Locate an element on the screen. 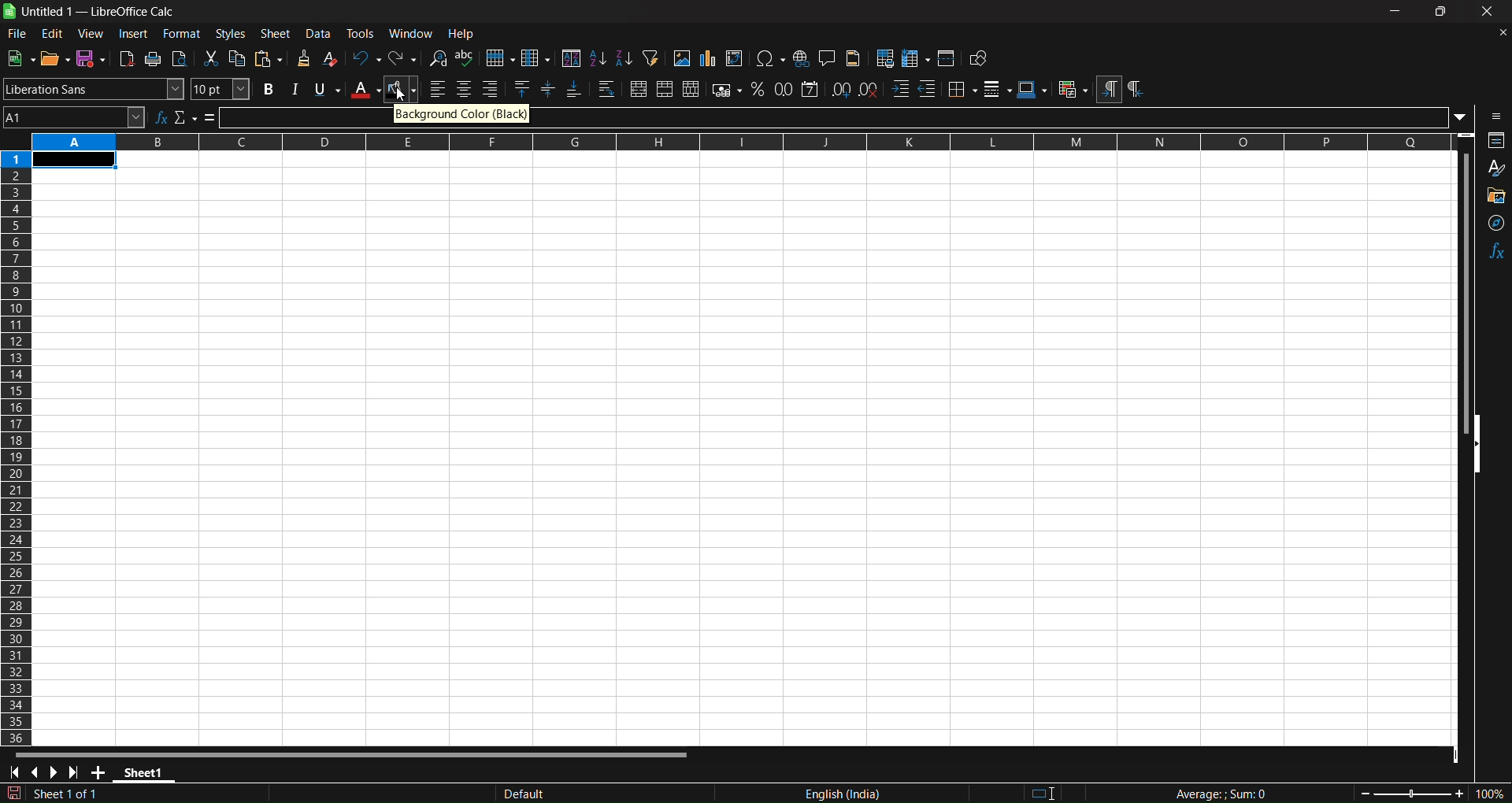  split window is located at coordinates (947, 59).